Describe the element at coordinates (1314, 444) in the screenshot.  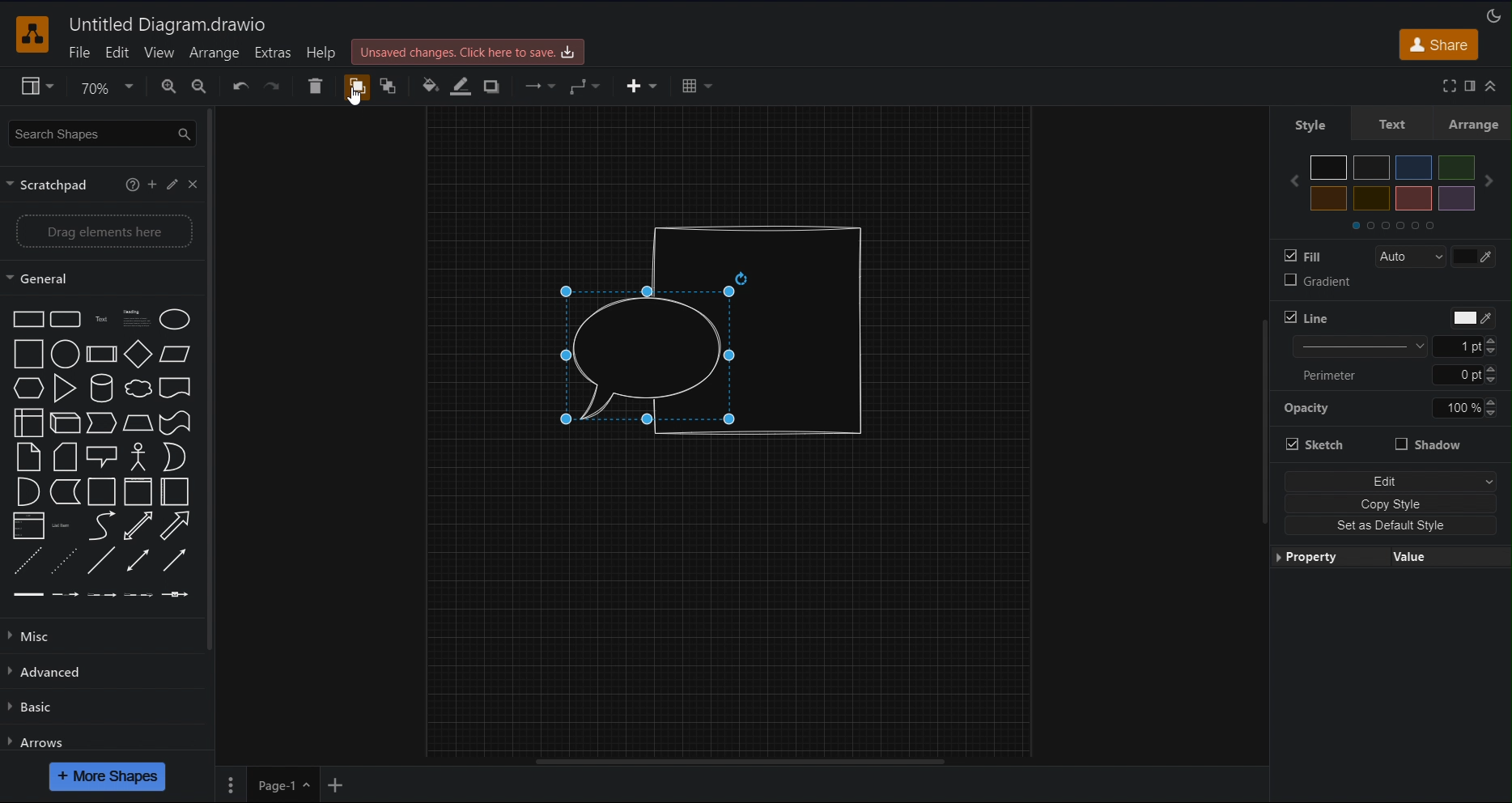
I see `Stretch` at that location.